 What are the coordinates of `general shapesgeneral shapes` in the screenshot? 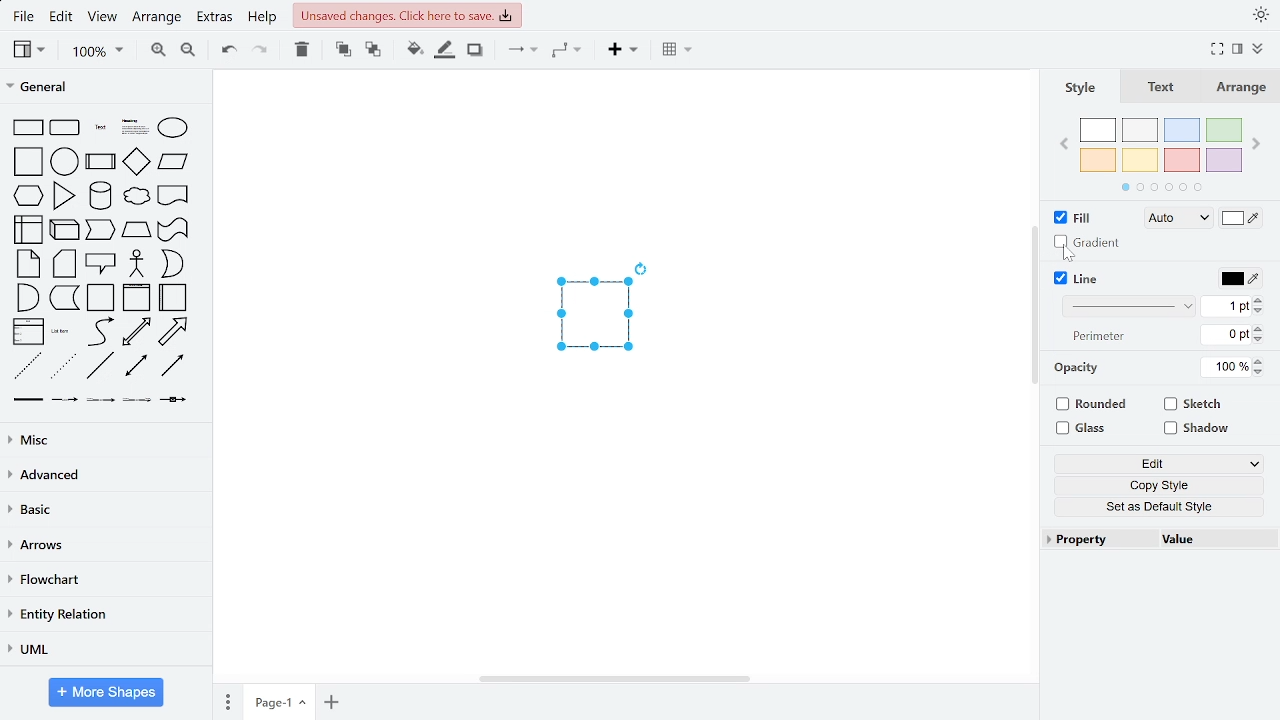 It's located at (97, 127).